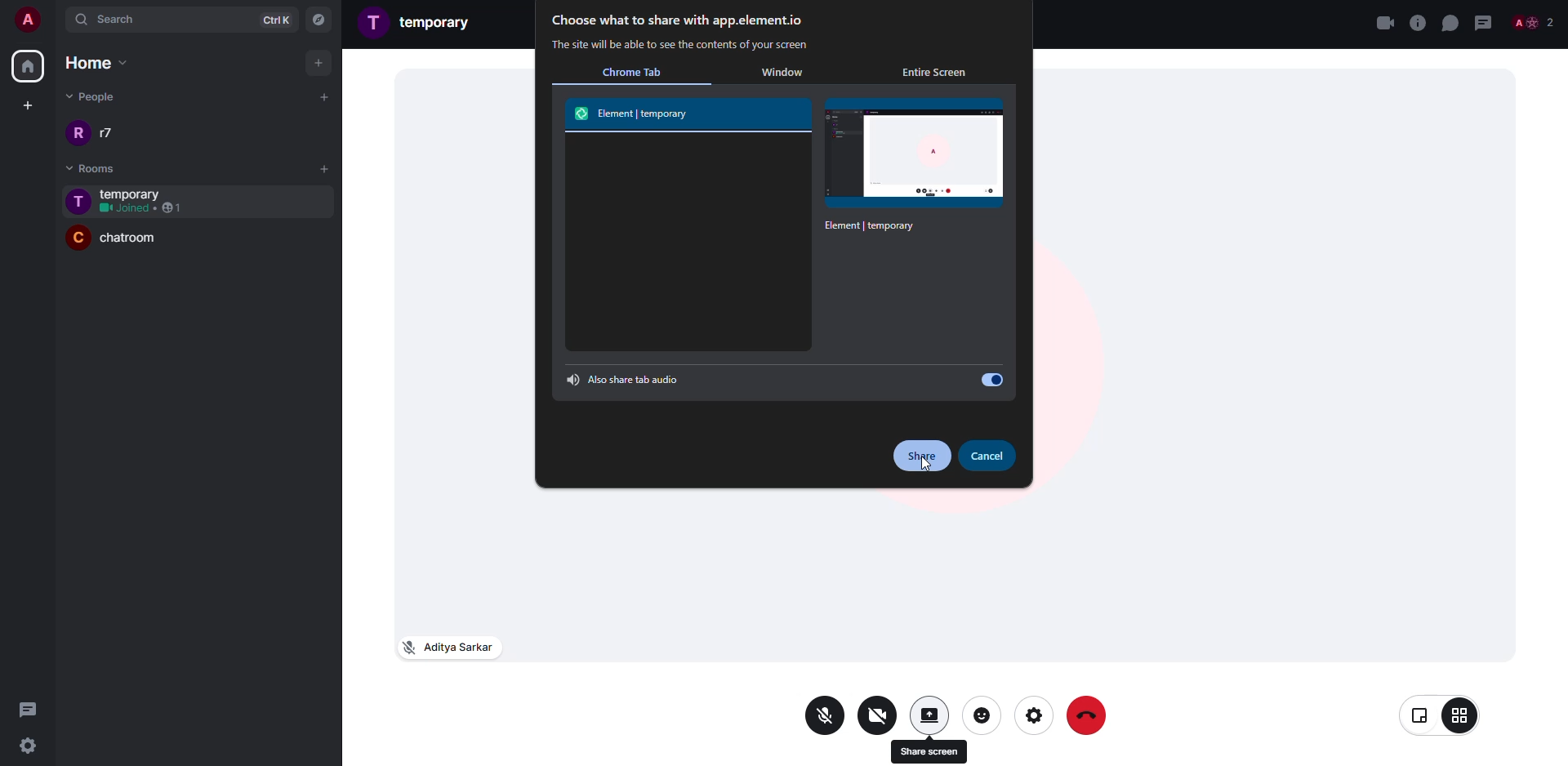 This screenshot has height=766, width=1568. What do you see at coordinates (677, 21) in the screenshot?
I see `choose what to share` at bounding box center [677, 21].